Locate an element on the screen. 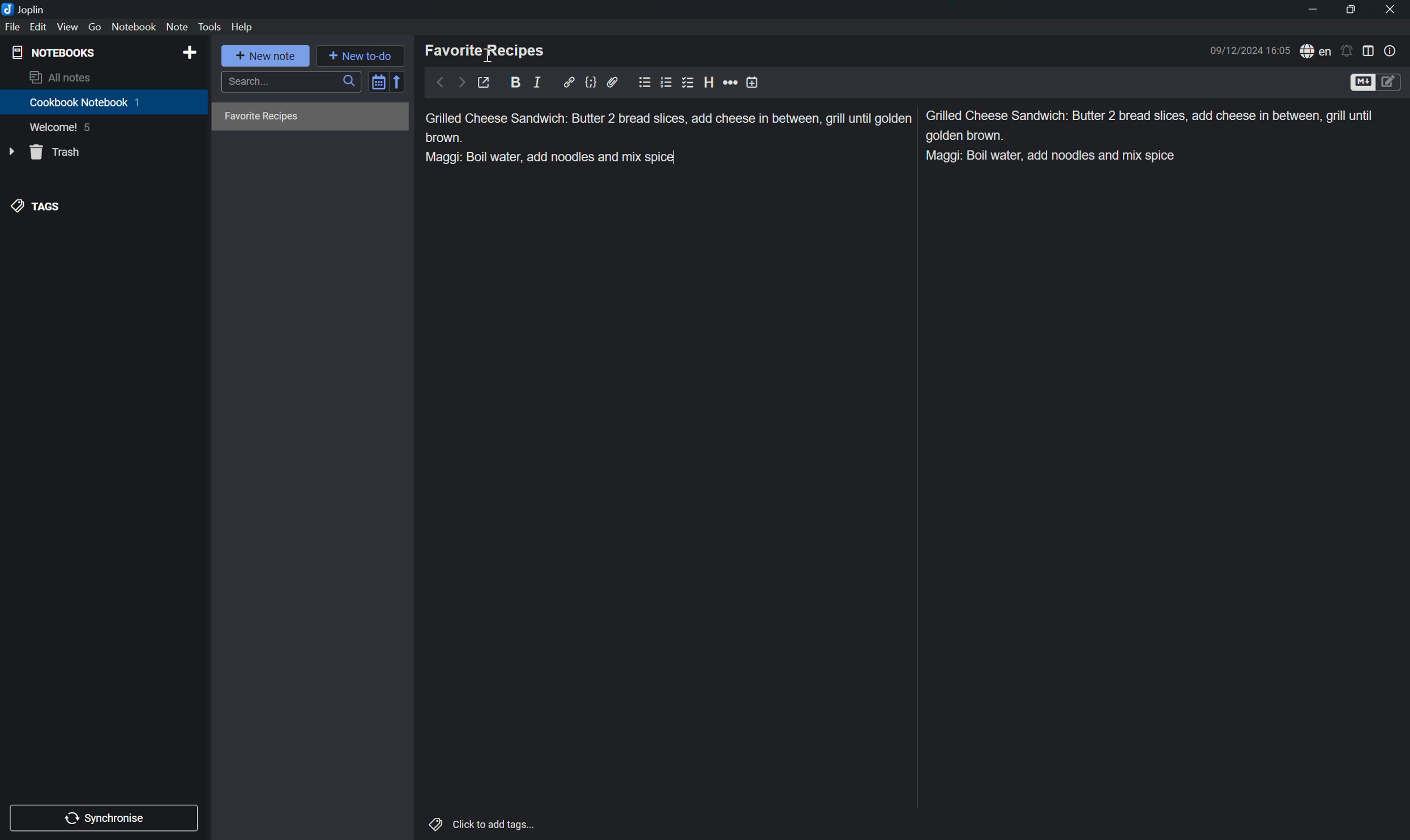 This screenshot has height=840, width=1410. Edit is located at coordinates (38, 27).